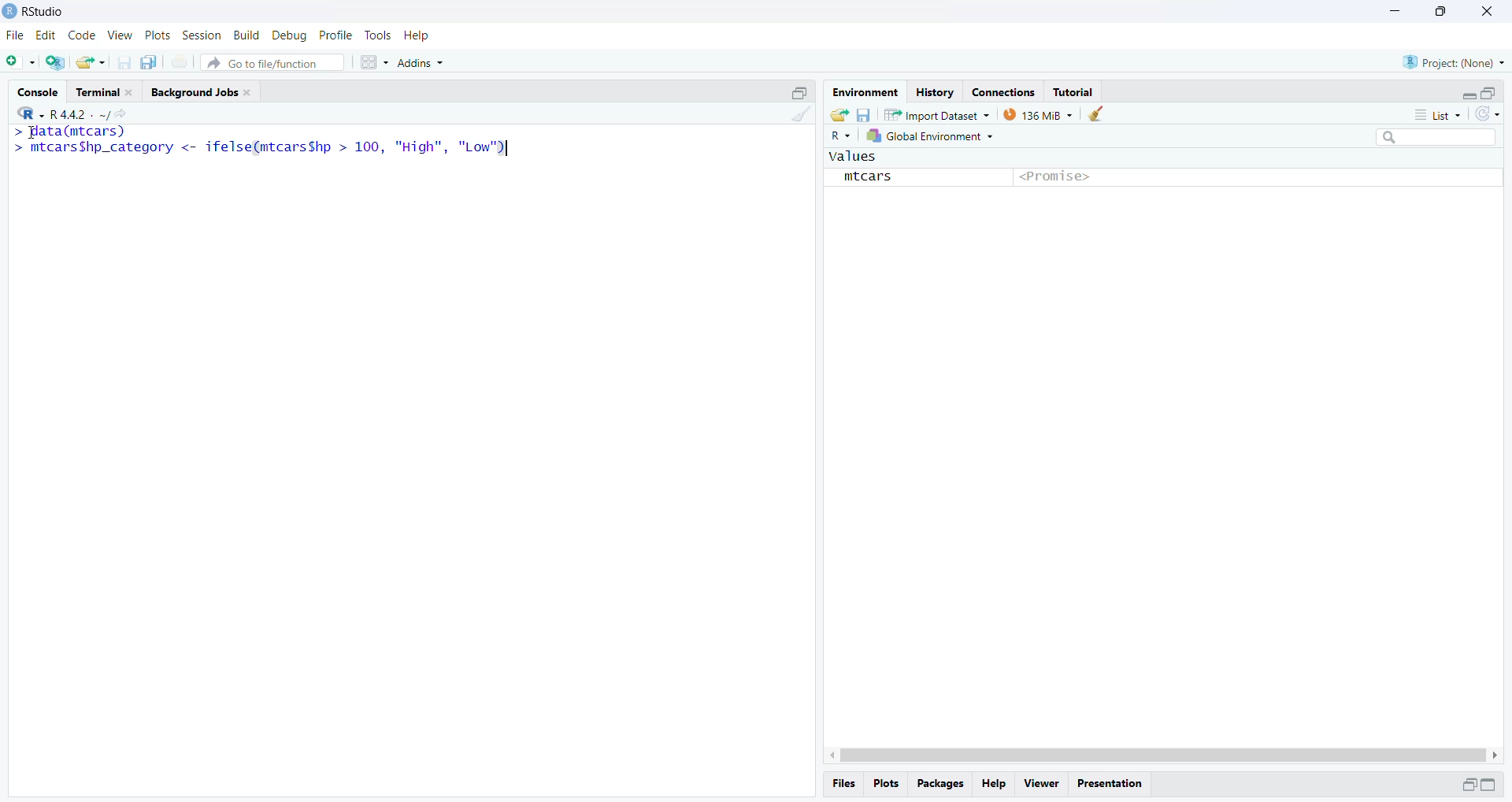 Image resolution: width=1512 pixels, height=802 pixels. I want to click on Workspace panes, so click(373, 61).